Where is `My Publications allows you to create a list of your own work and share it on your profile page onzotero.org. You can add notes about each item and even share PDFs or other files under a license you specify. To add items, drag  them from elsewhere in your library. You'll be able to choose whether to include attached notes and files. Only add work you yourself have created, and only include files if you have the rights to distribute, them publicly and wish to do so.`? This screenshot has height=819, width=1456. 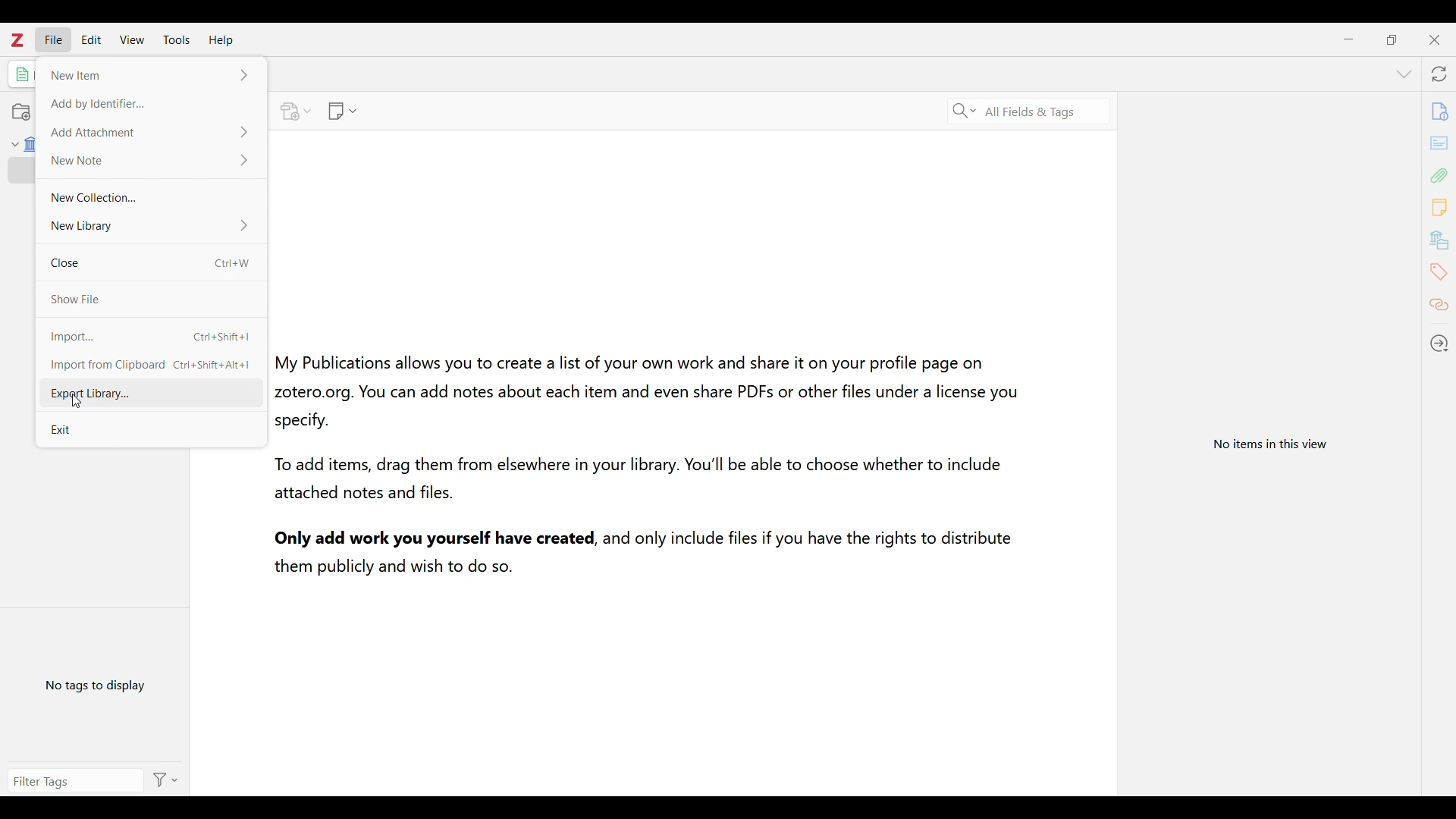 My Publications allows you to create a list of your own work and share it on your profile page onzotero.org. You can add notes about each item and even share PDFs or other files under a license you specify. To add items, drag  them from elsewhere in your library. You'll be able to choose whether to include attached notes and files. Only add work you yourself have created, and only include files if you have the rights to distribute, them publicly and wish to do so. is located at coordinates (651, 467).